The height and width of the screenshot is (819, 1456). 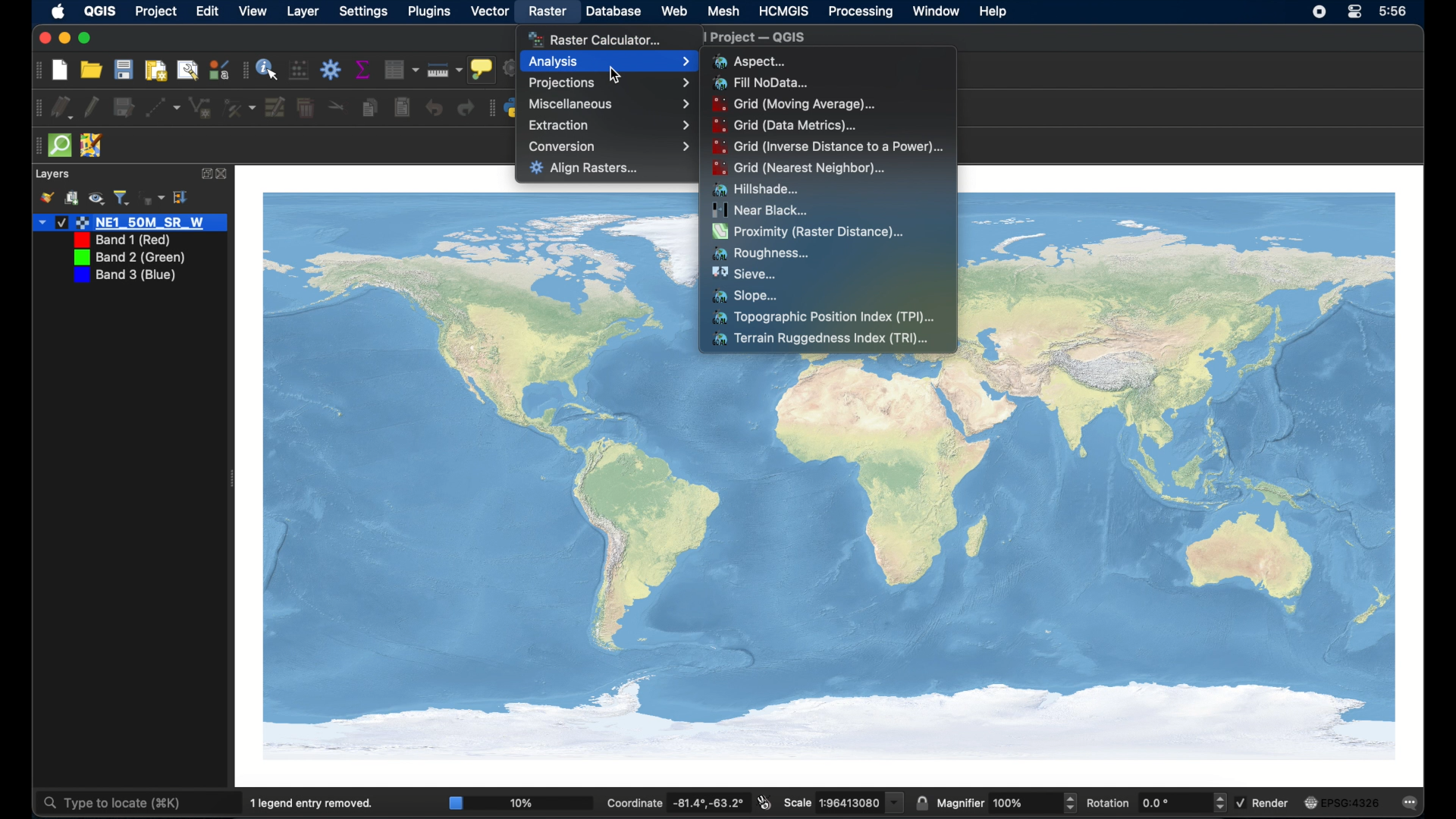 I want to click on hillshade, so click(x=757, y=189).